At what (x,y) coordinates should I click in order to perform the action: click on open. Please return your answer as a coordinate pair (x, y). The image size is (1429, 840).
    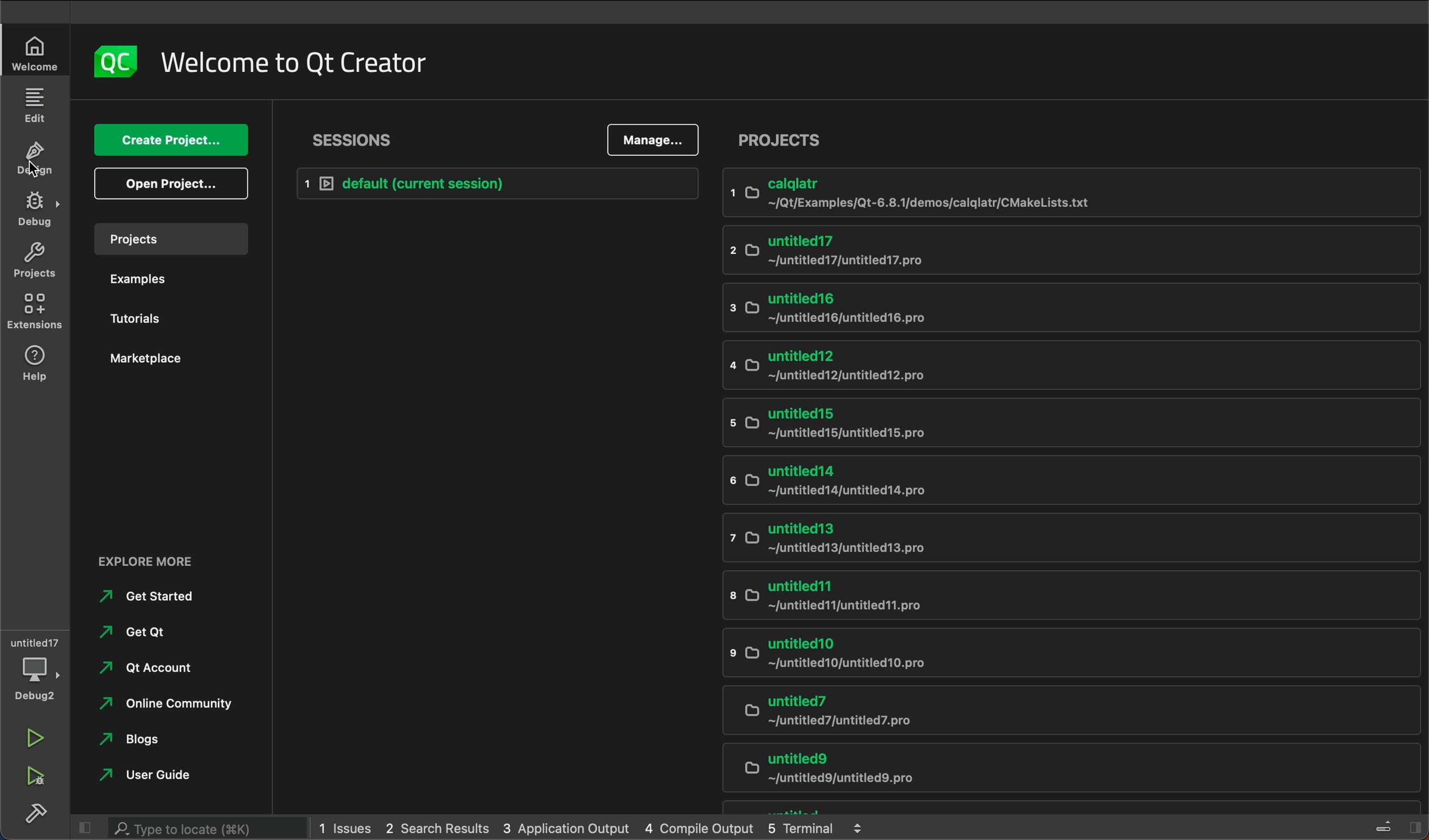
    Looking at the image, I should click on (170, 183).